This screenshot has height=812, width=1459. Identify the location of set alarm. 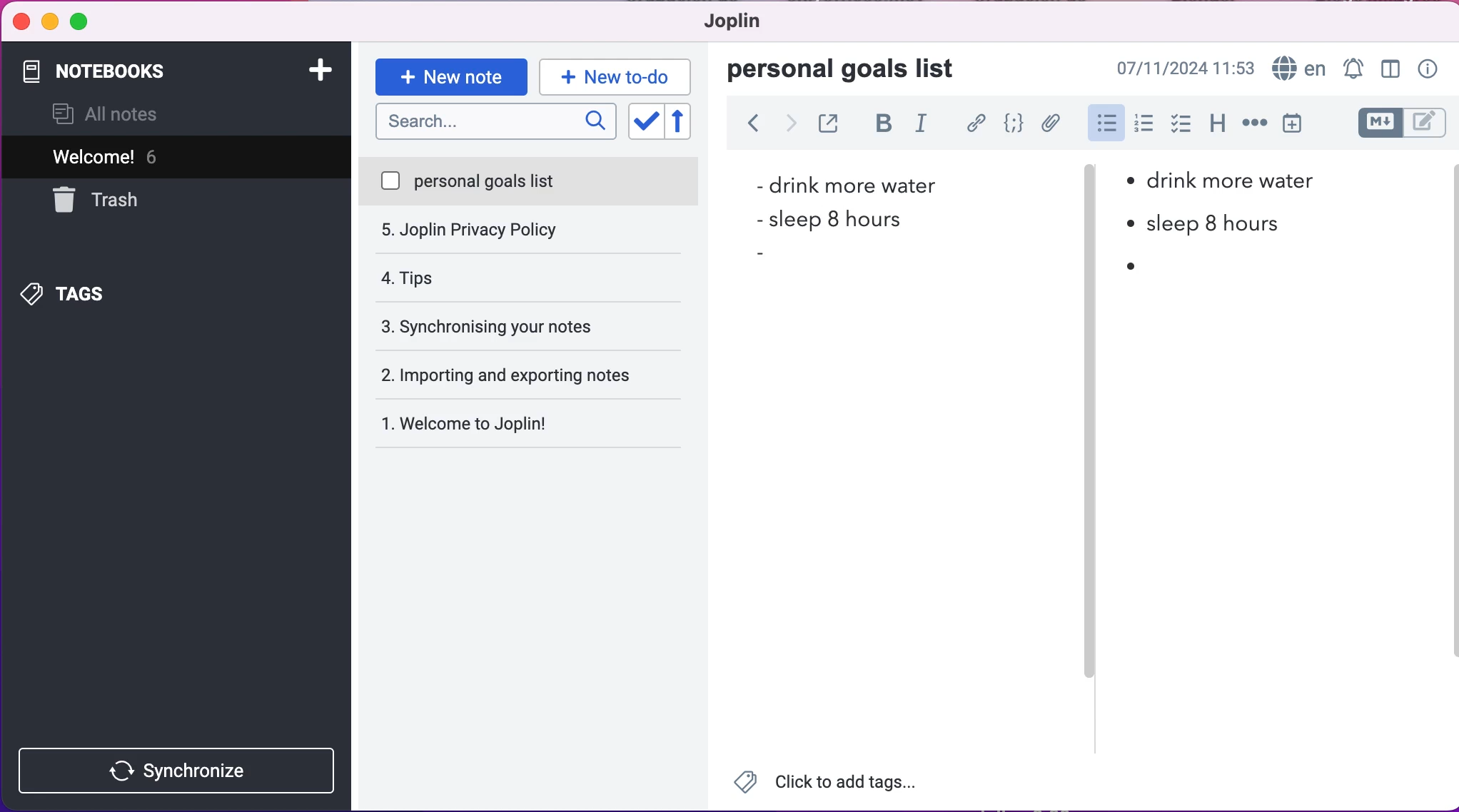
(1351, 66).